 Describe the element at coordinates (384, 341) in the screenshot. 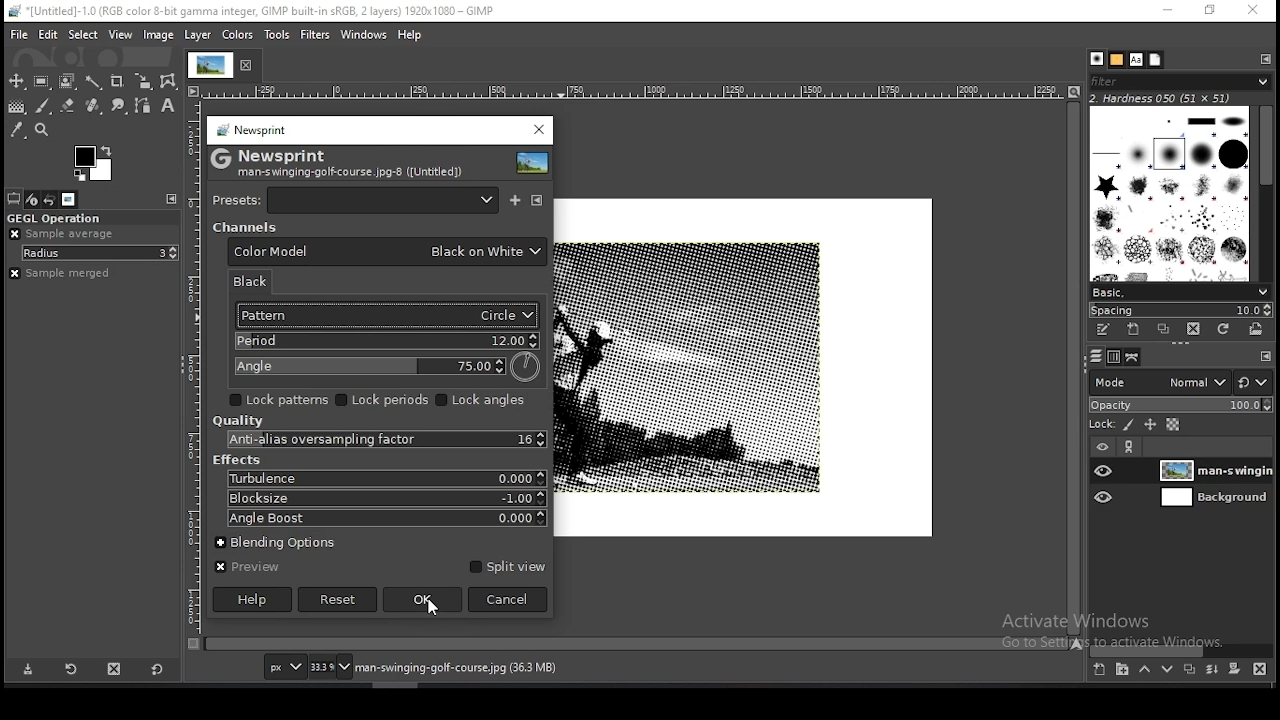

I see `period` at that location.